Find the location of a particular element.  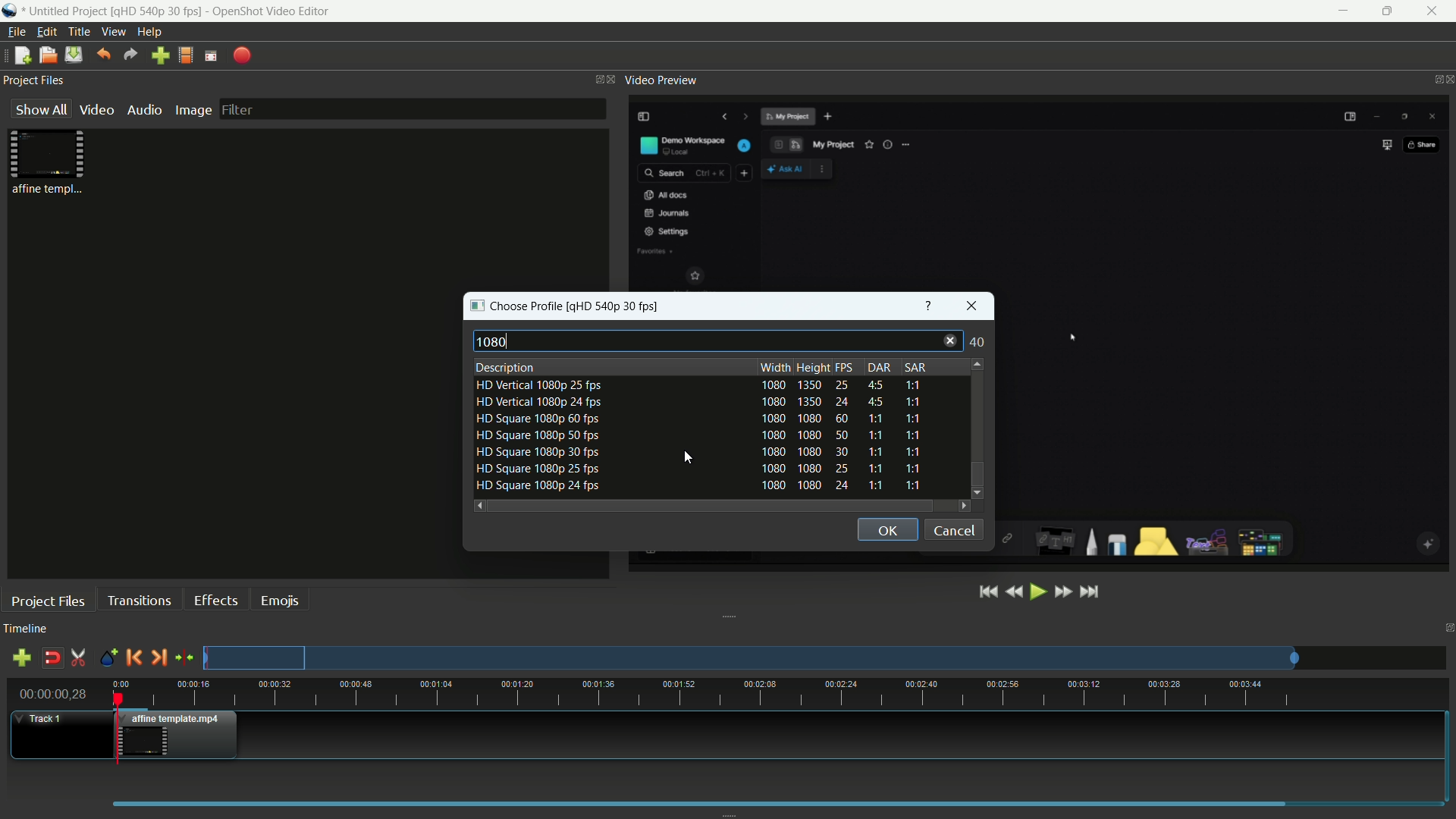

video is located at coordinates (97, 110).